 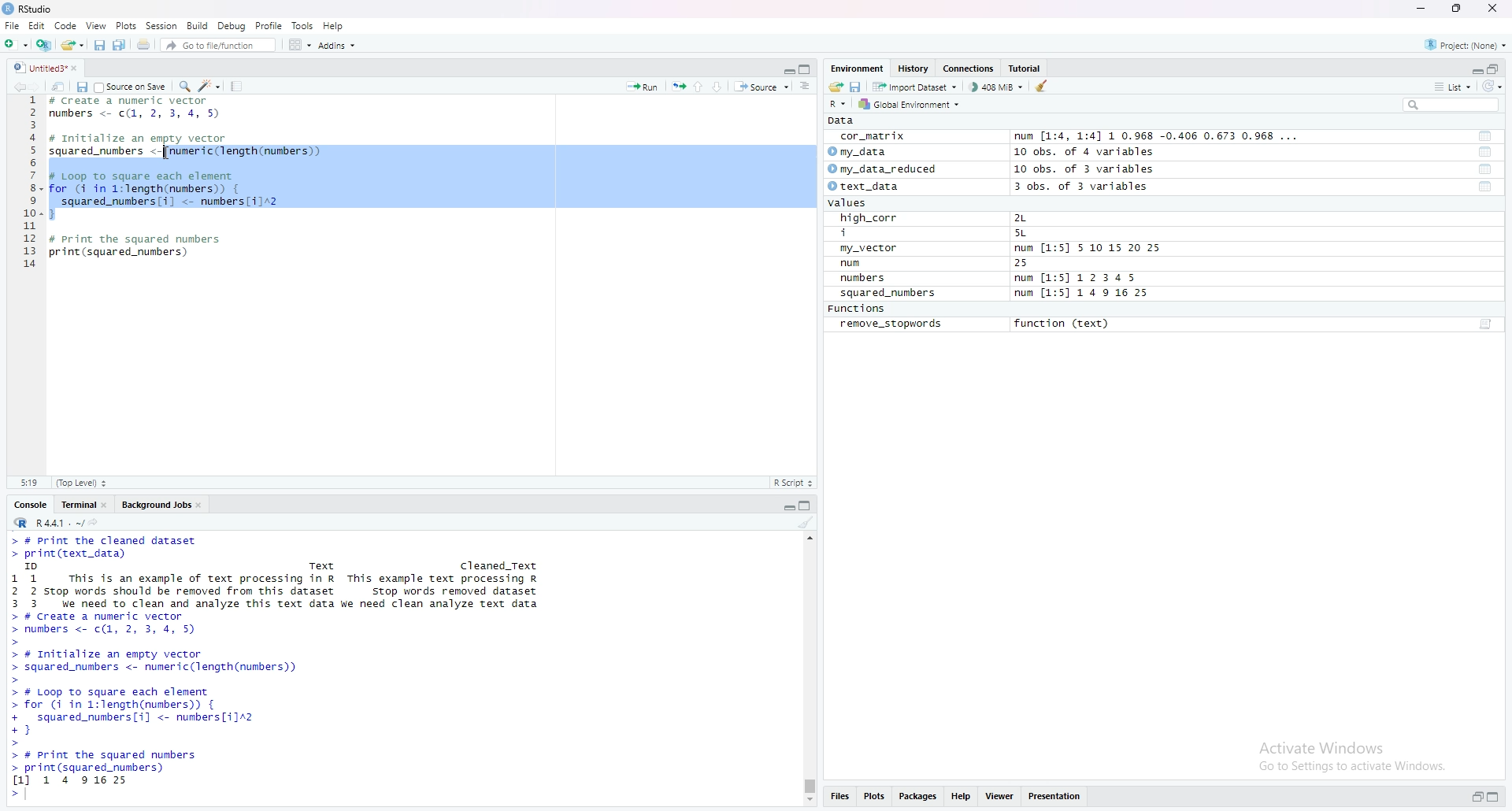 What do you see at coordinates (1477, 798) in the screenshot?
I see `restore` at bounding box center [1477, 798].